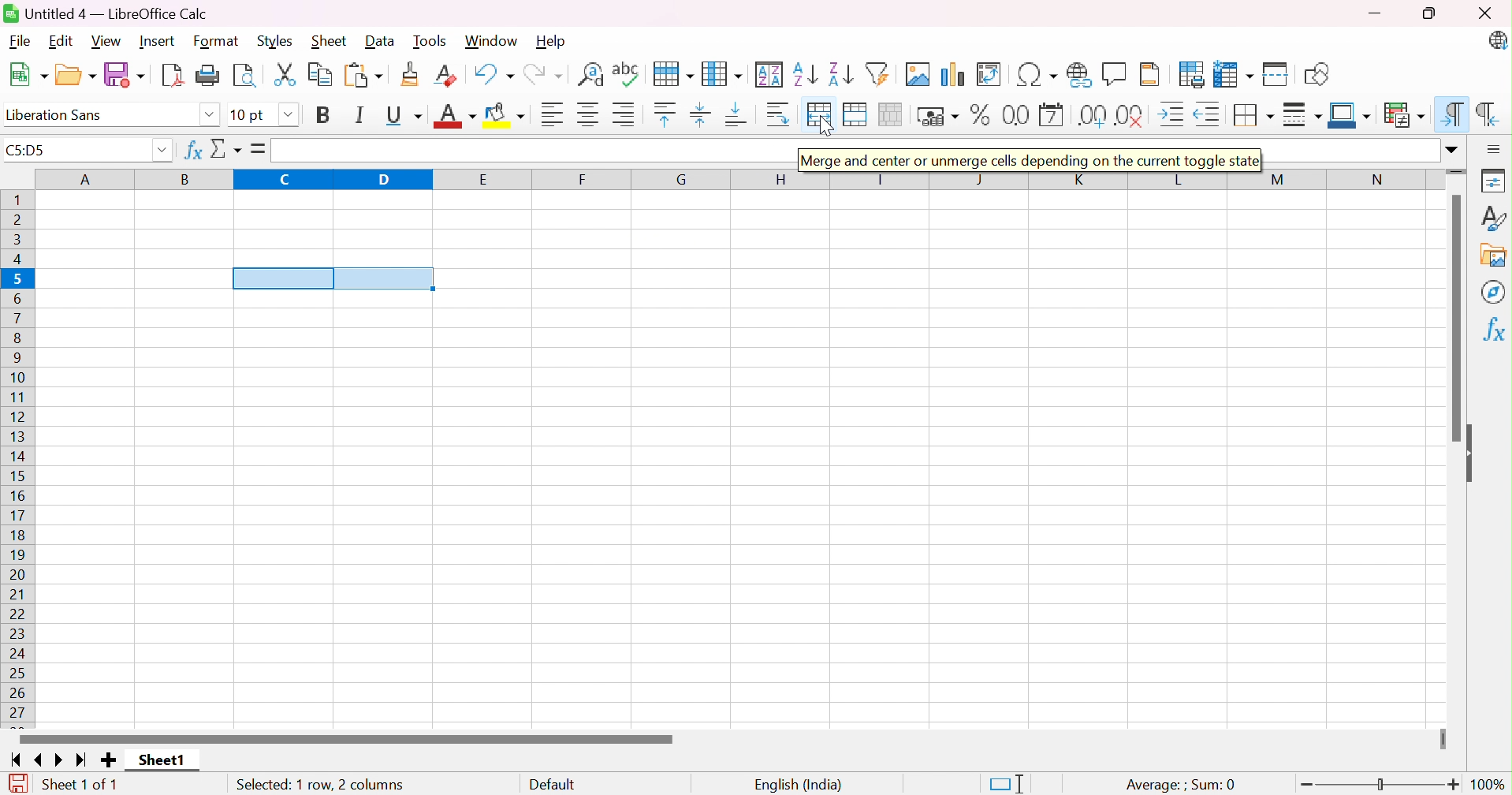 The height and width of the screenshot is (795, 1512). Describe the element at coordinates (736, 180) in the screenshot. I see `Column Name` at that location.